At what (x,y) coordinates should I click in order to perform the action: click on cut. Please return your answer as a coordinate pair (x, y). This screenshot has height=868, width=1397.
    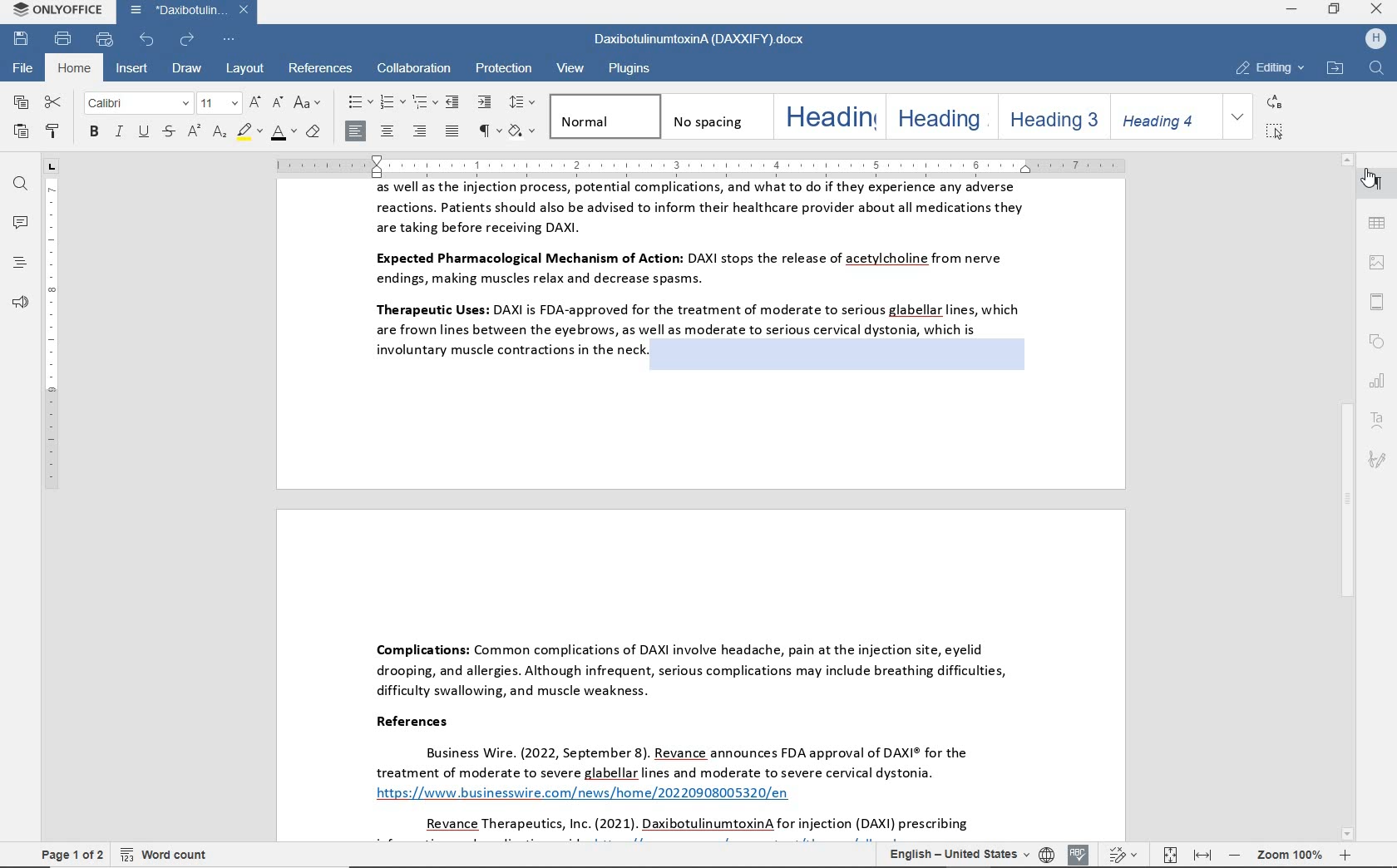
    Looking at the image, I should click on (53, 103).